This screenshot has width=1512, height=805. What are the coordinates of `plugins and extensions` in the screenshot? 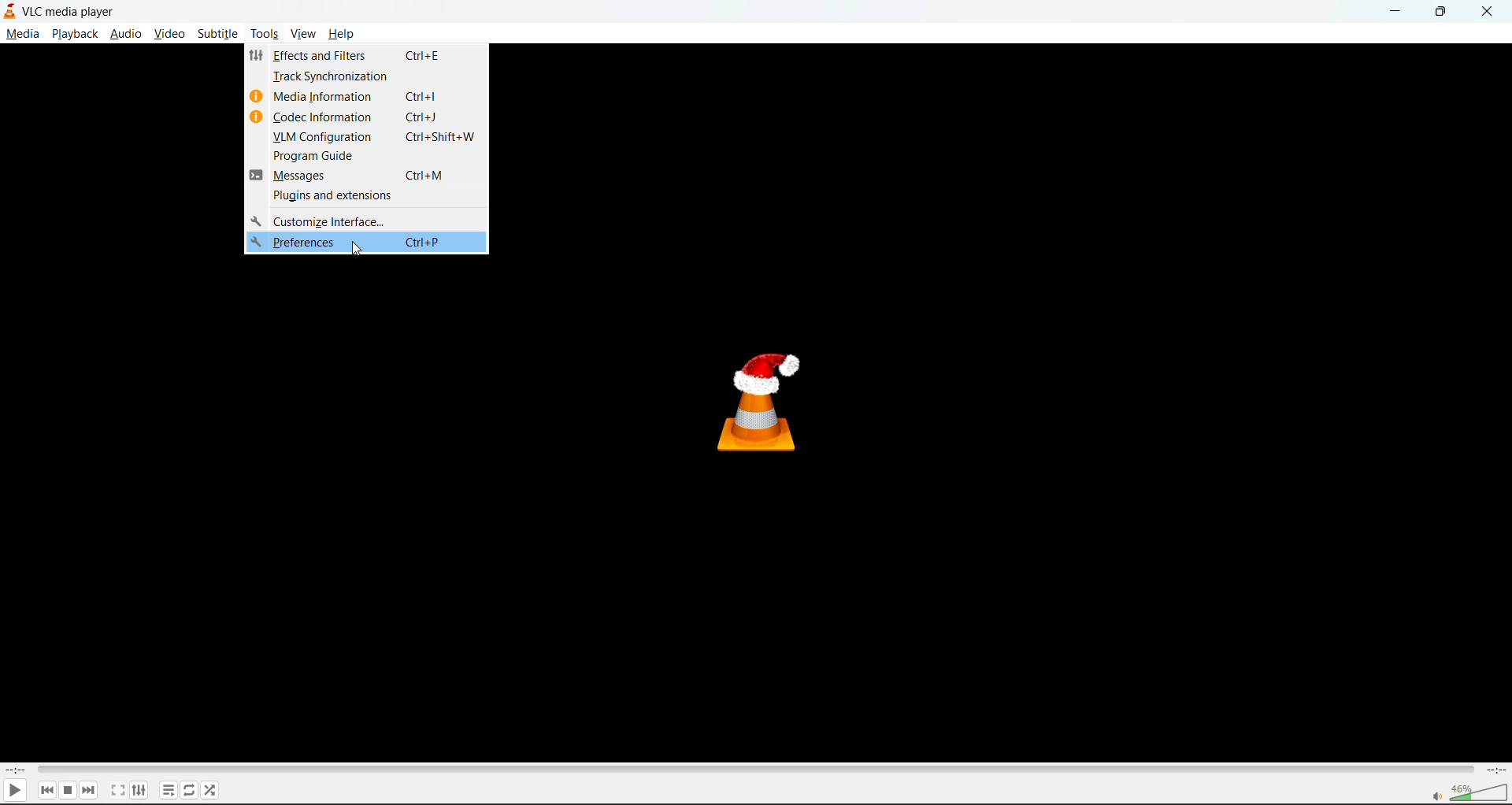 It's located at (331, 197).